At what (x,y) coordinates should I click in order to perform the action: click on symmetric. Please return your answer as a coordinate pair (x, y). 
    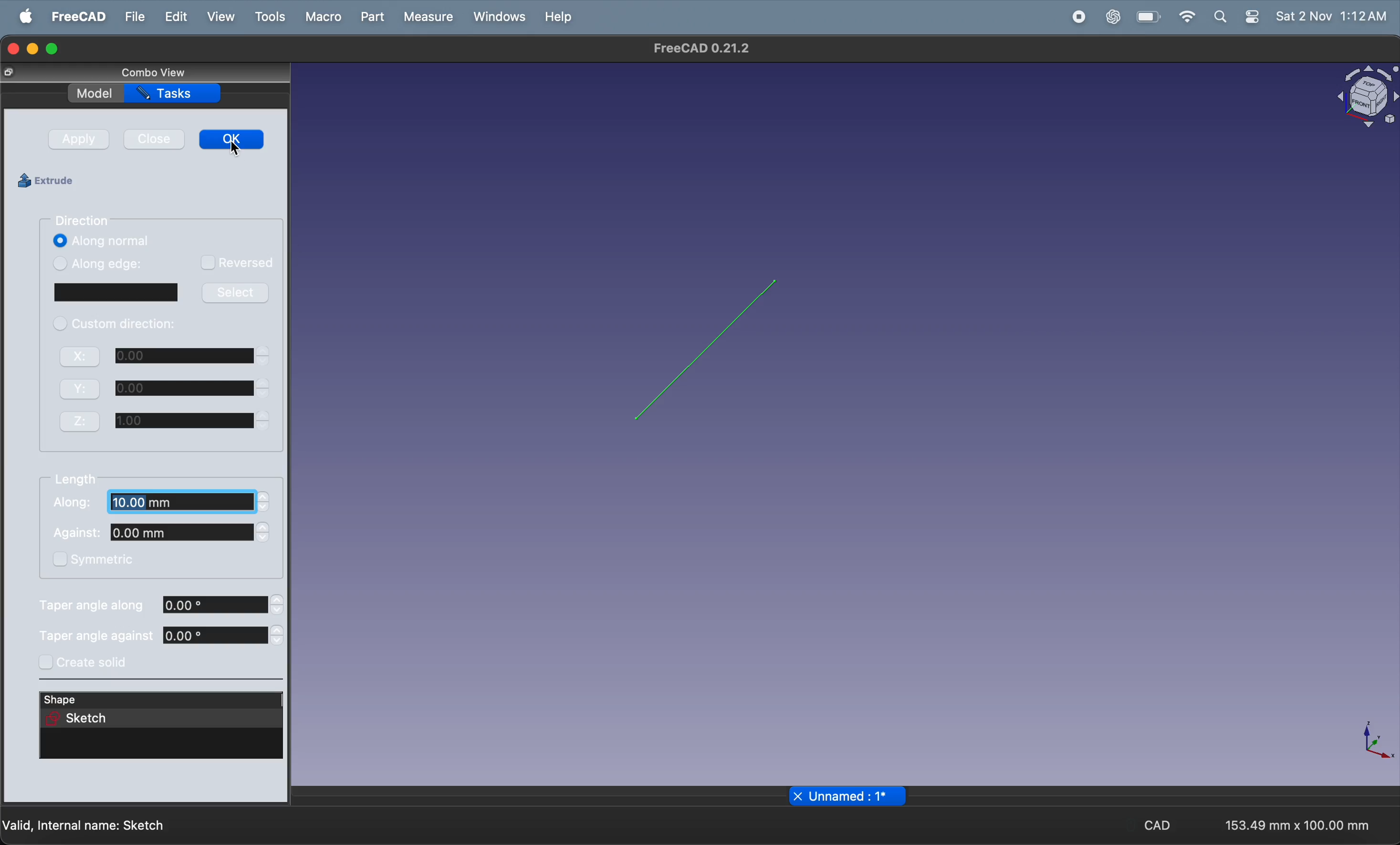
    Looking at the image, I should click on (99, 560).